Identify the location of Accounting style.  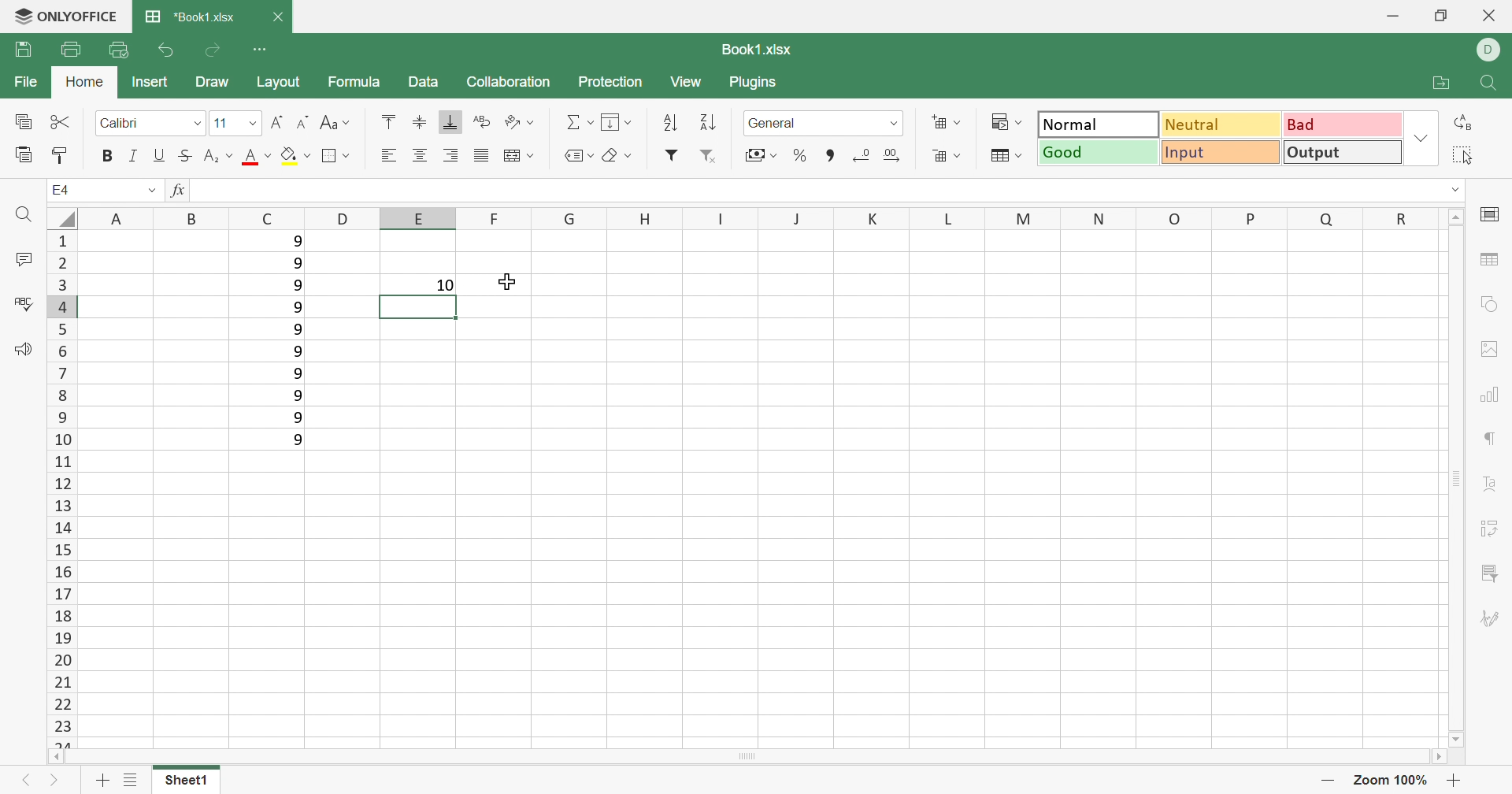
(762, 155).